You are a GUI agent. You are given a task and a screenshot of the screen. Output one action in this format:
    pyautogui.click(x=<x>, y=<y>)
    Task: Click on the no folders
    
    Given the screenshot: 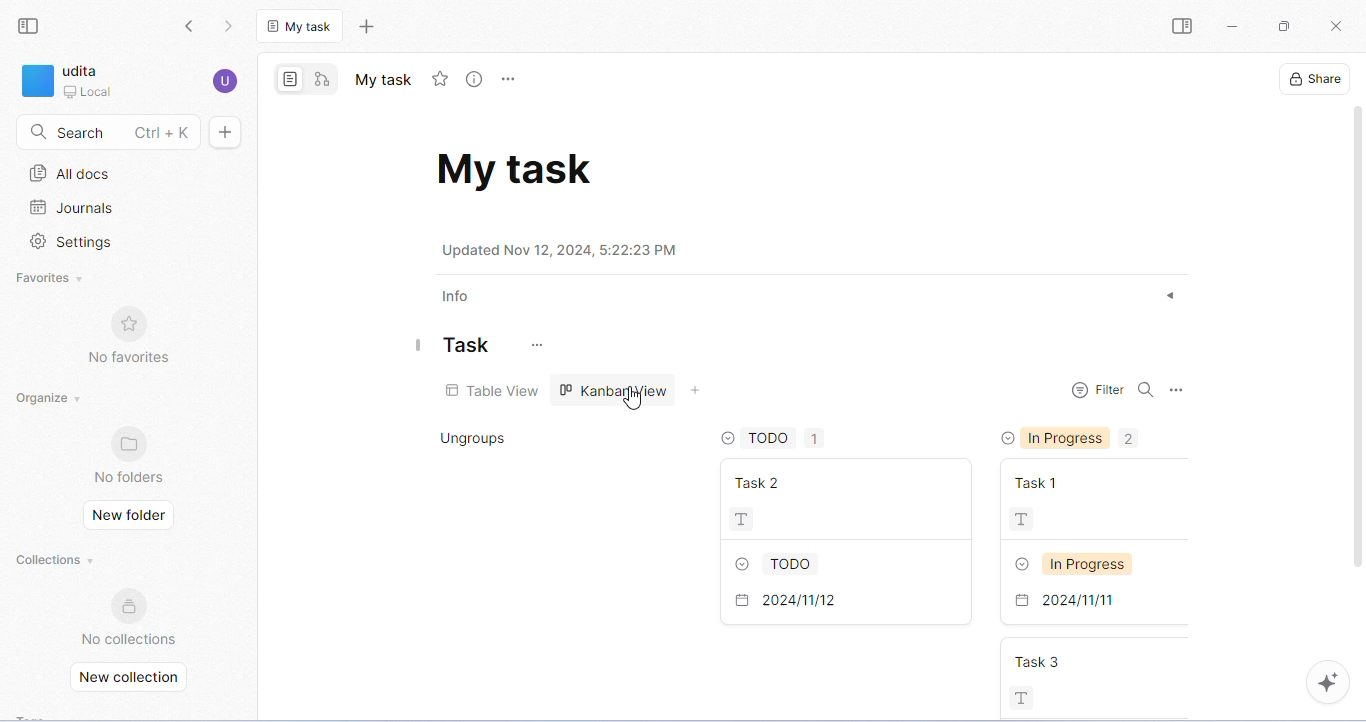 What is the action you would take?
    pyautogui.click(x=131, y=455)
    